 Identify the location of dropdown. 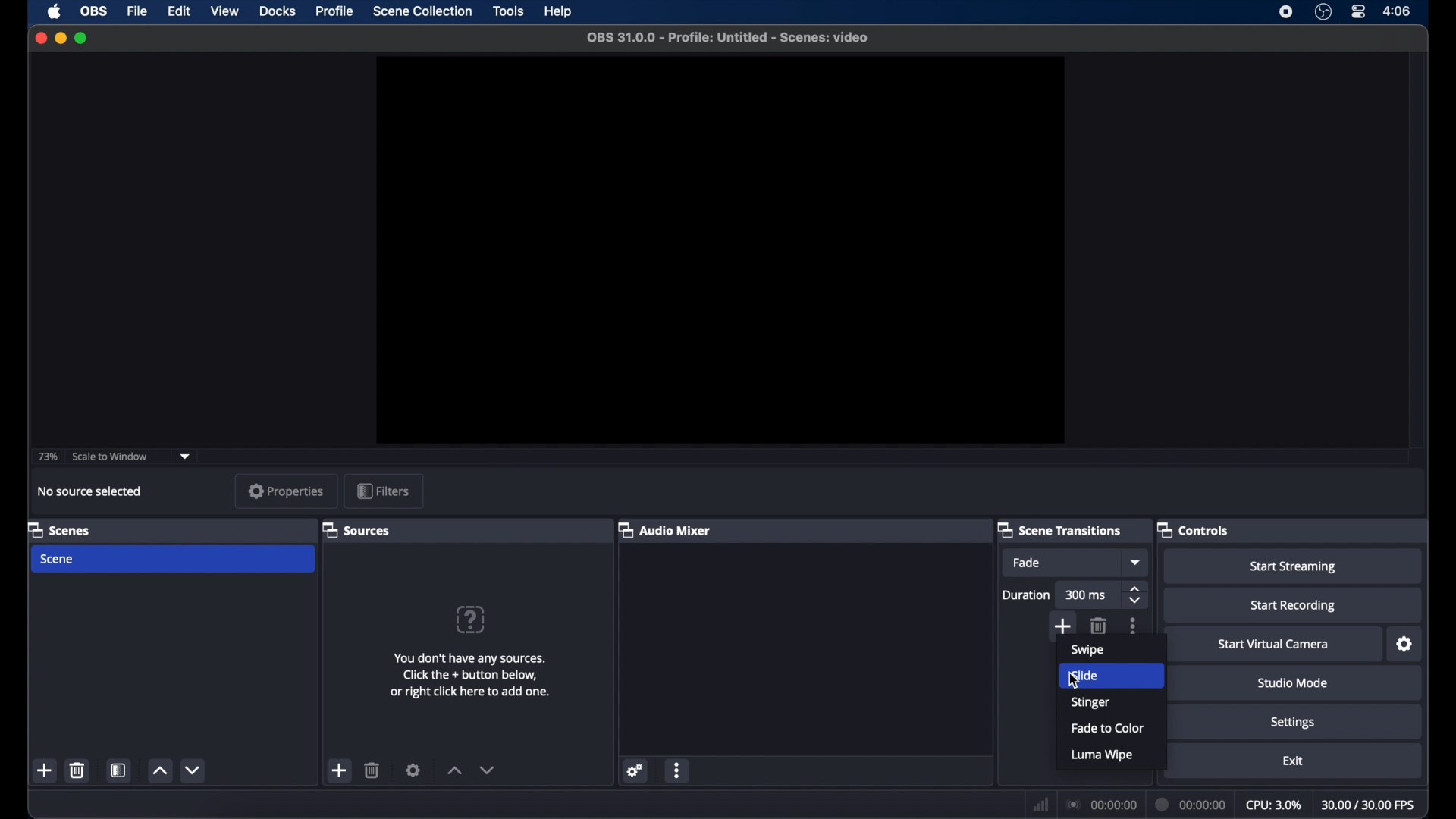
(187, 457).